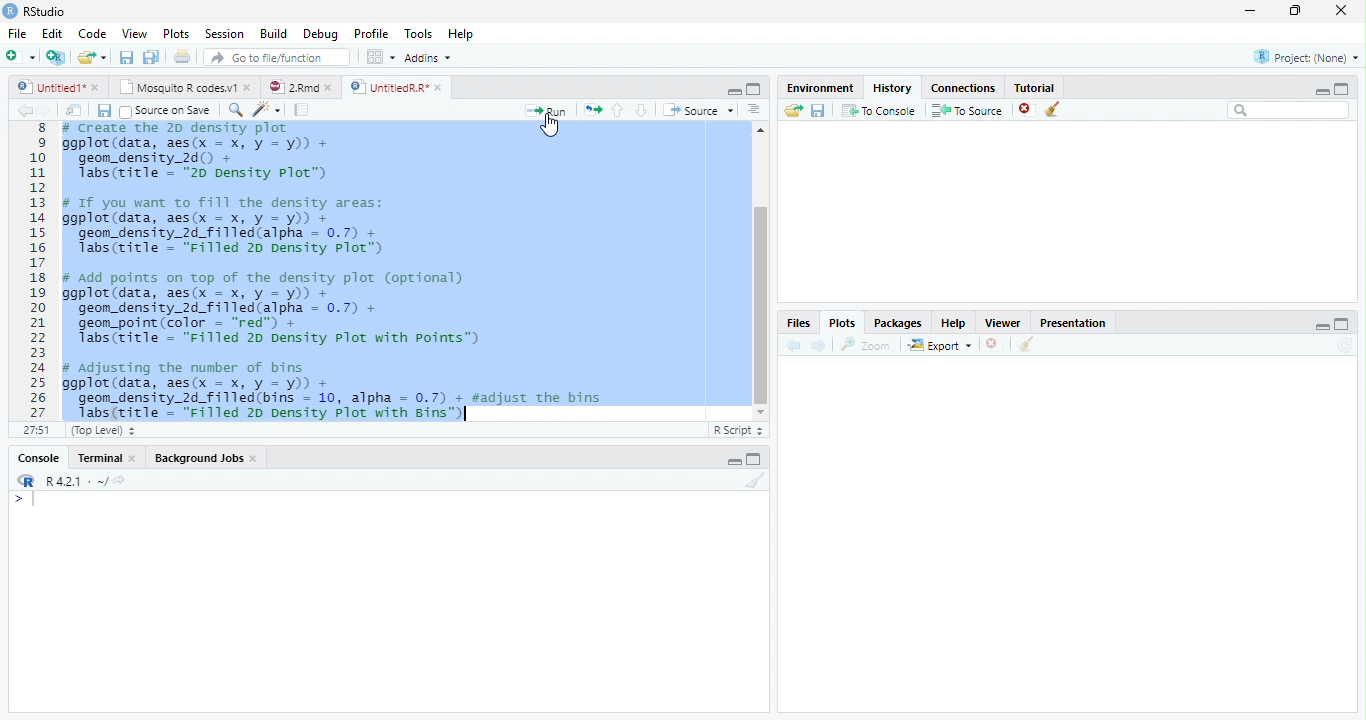 The height and width of the screenshot is (720, 1366). Describe the element at coordinates (641, 110) in the screenshot. I see `down` at that location.